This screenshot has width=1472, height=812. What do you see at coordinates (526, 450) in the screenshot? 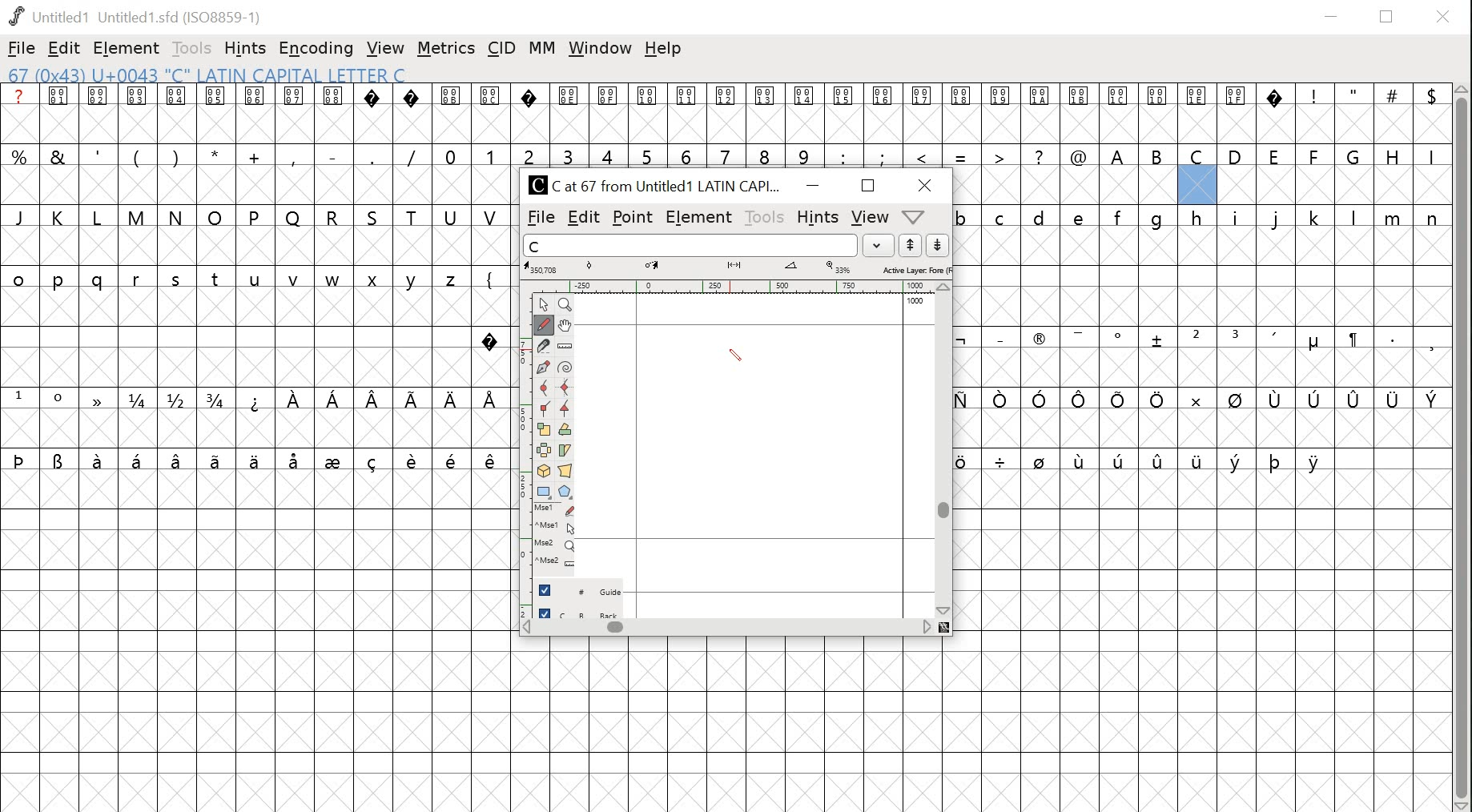
I see `ruler` at bounding box center [526, 450].